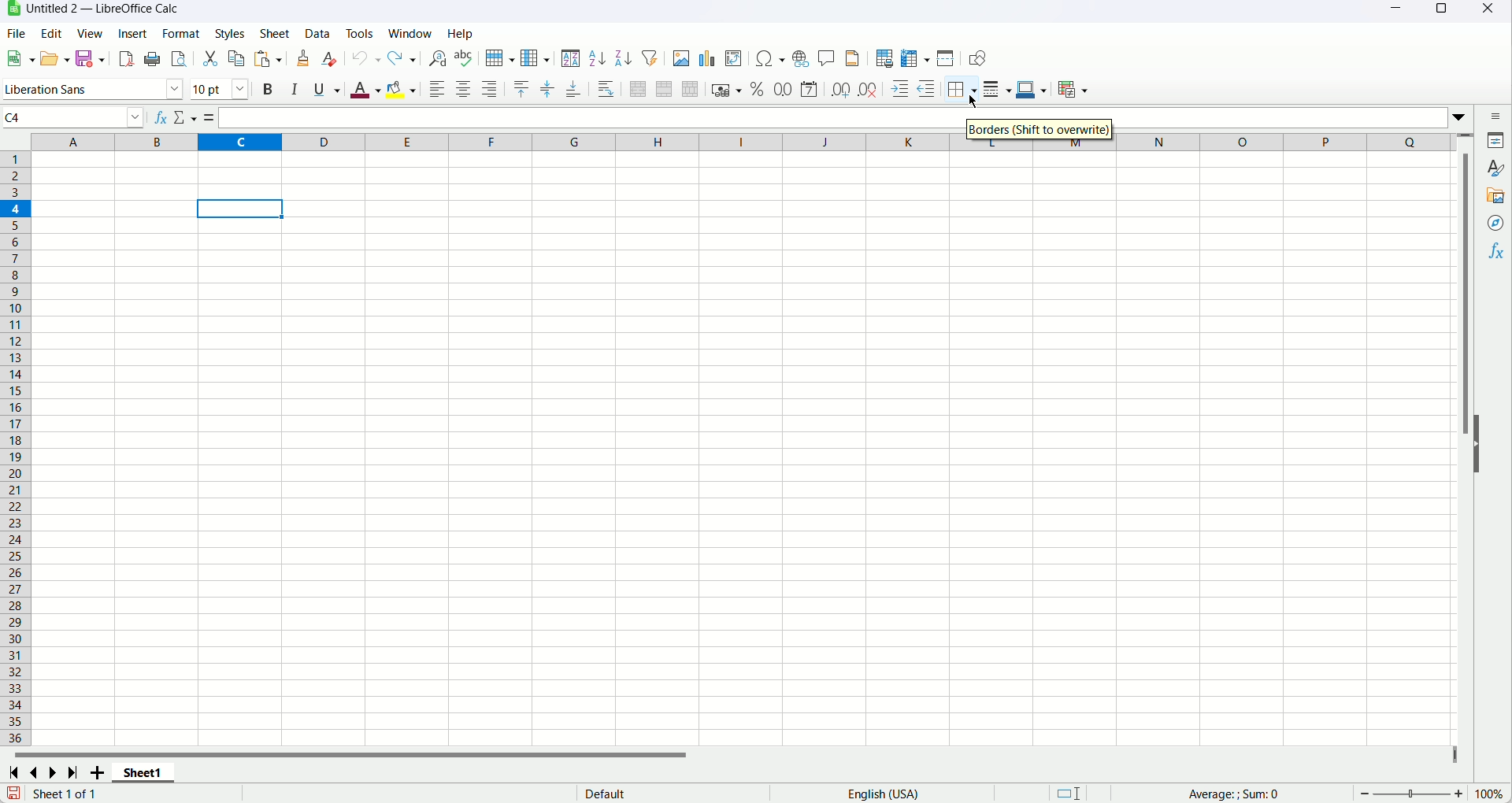 The width and height of the screenshot is (1512, 803). I want to click on Define print area, so click(884, 59).